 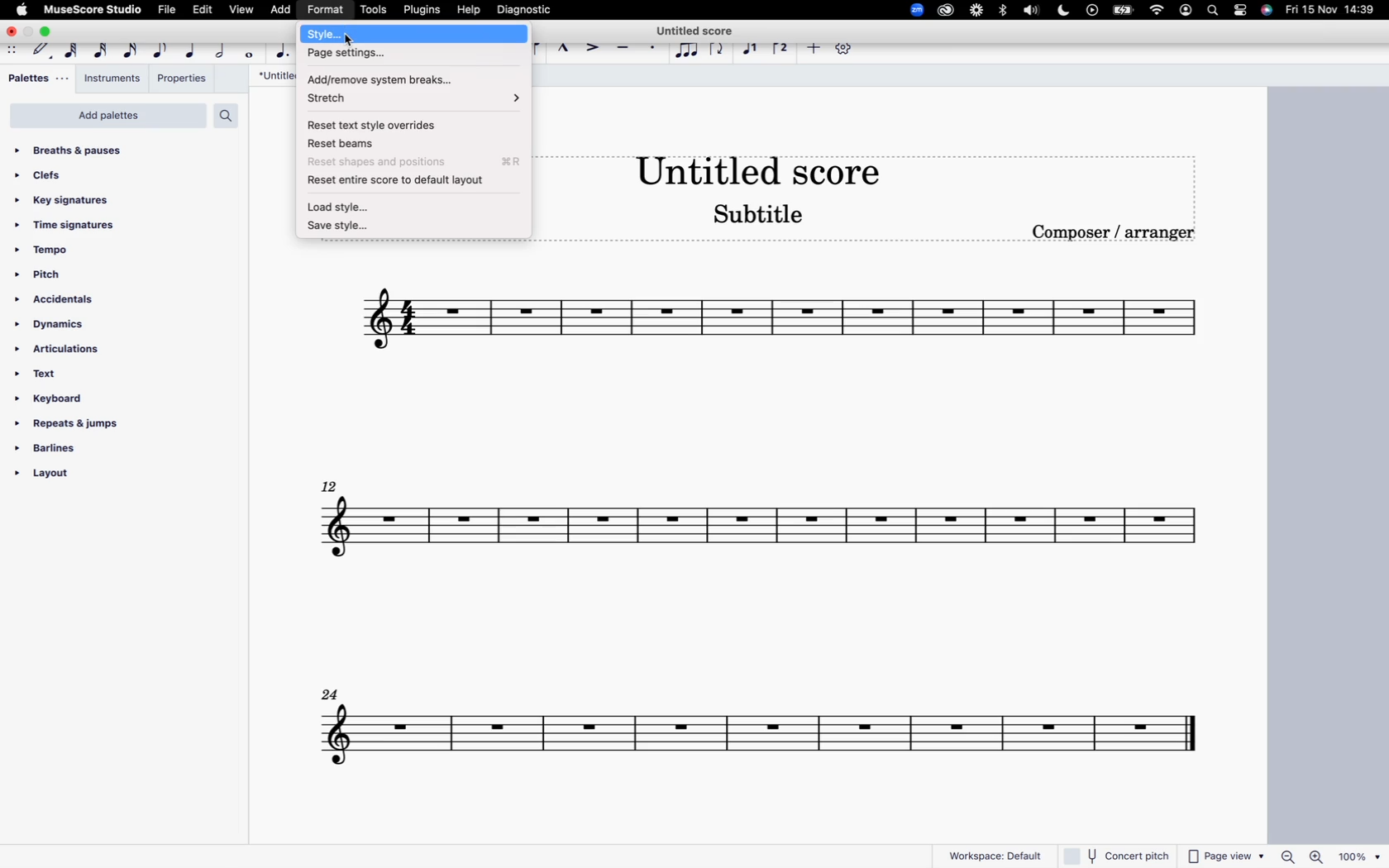 I want to click on loom, so click(x=976, y=11).